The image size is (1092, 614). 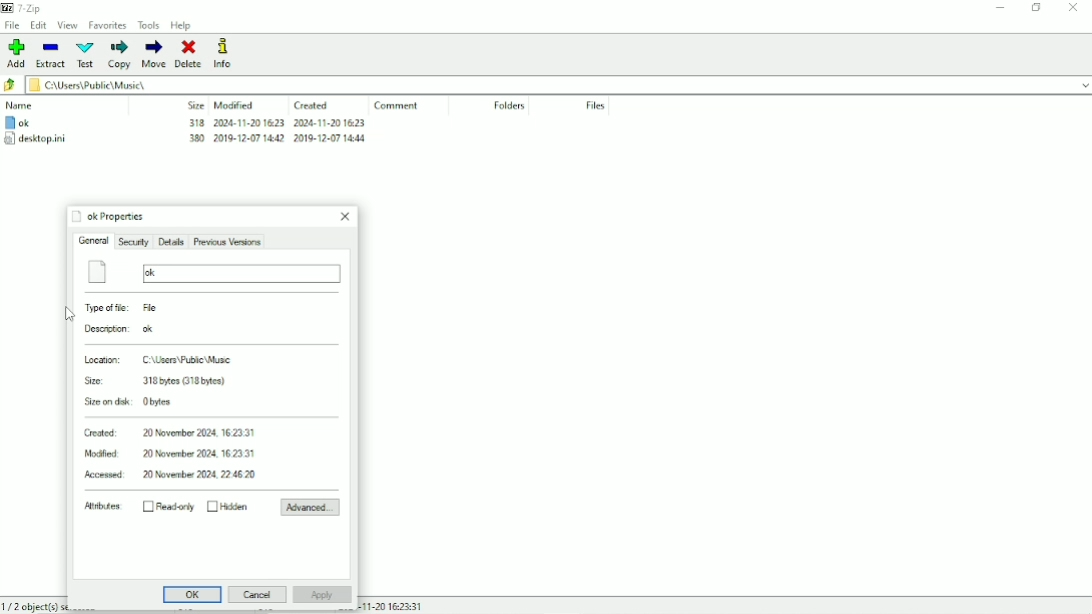 What do you see at coordinates (10, 84) in the screenshot?
I see `Back` at bounding box center [10, 84].